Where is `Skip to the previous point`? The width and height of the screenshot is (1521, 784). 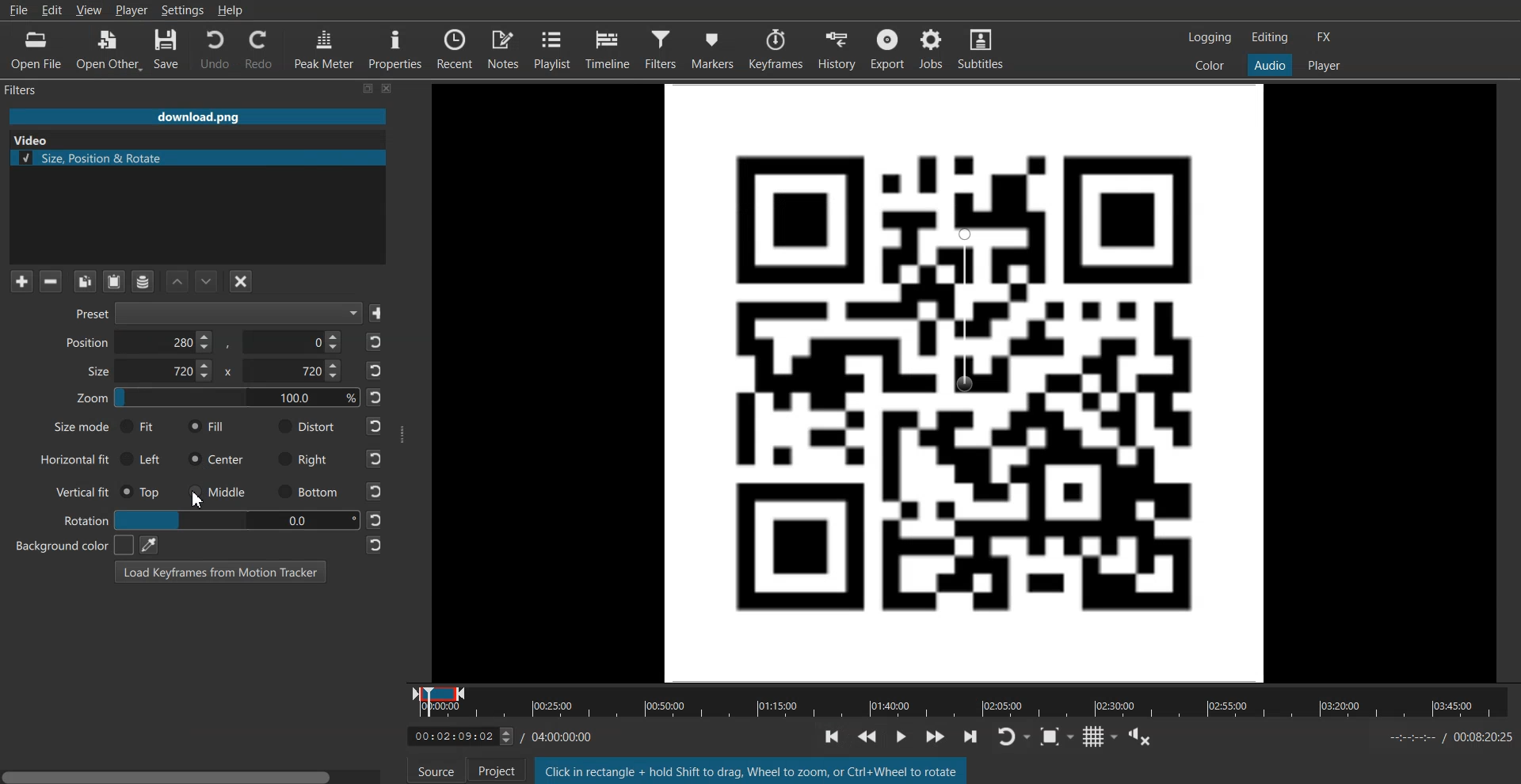
Skip to the previous point is located at coordinates (831, 736).